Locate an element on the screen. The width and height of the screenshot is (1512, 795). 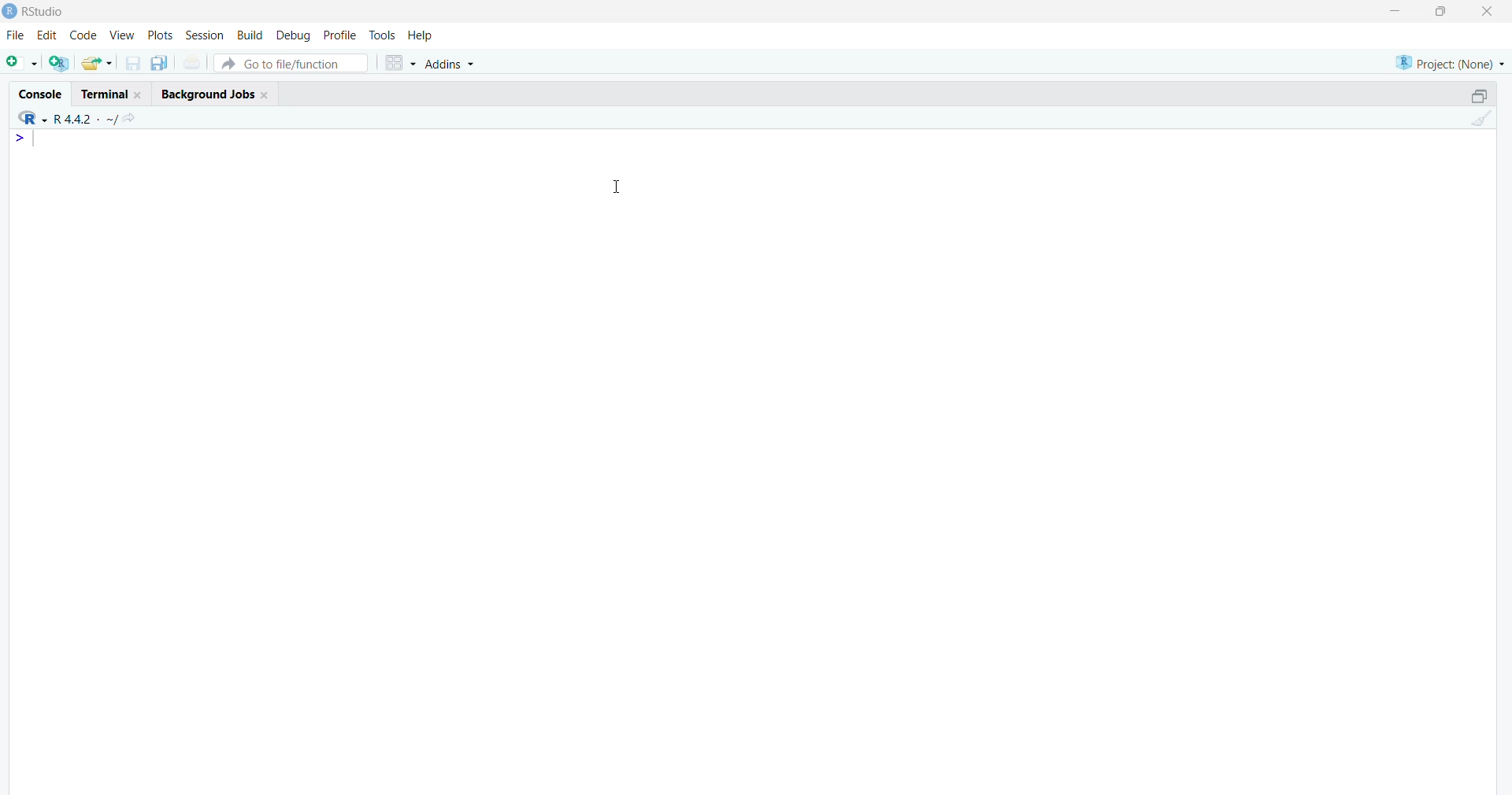
Go to file/function is located at coordinates (295, 63).